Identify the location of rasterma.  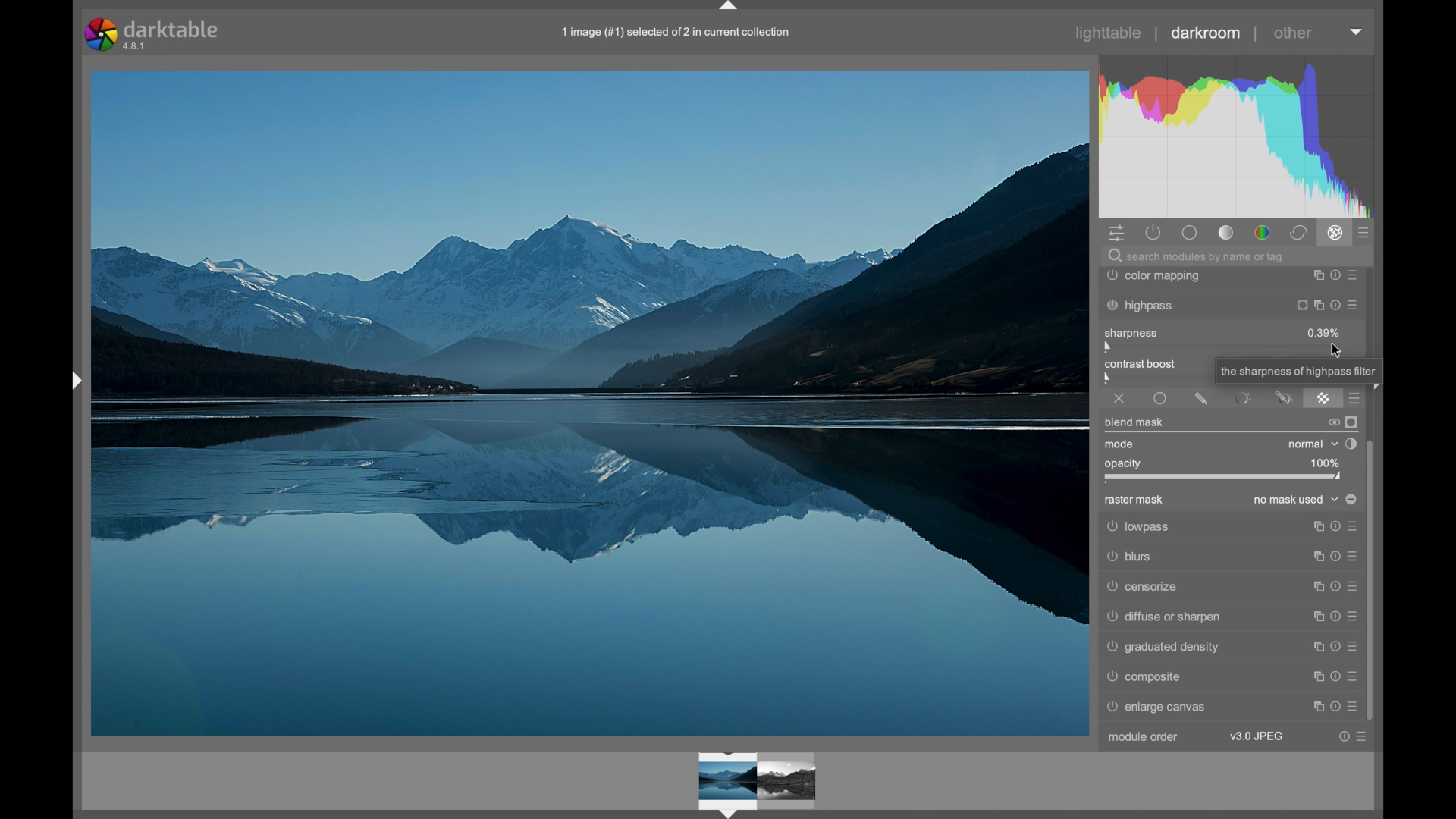
(1323, 398).